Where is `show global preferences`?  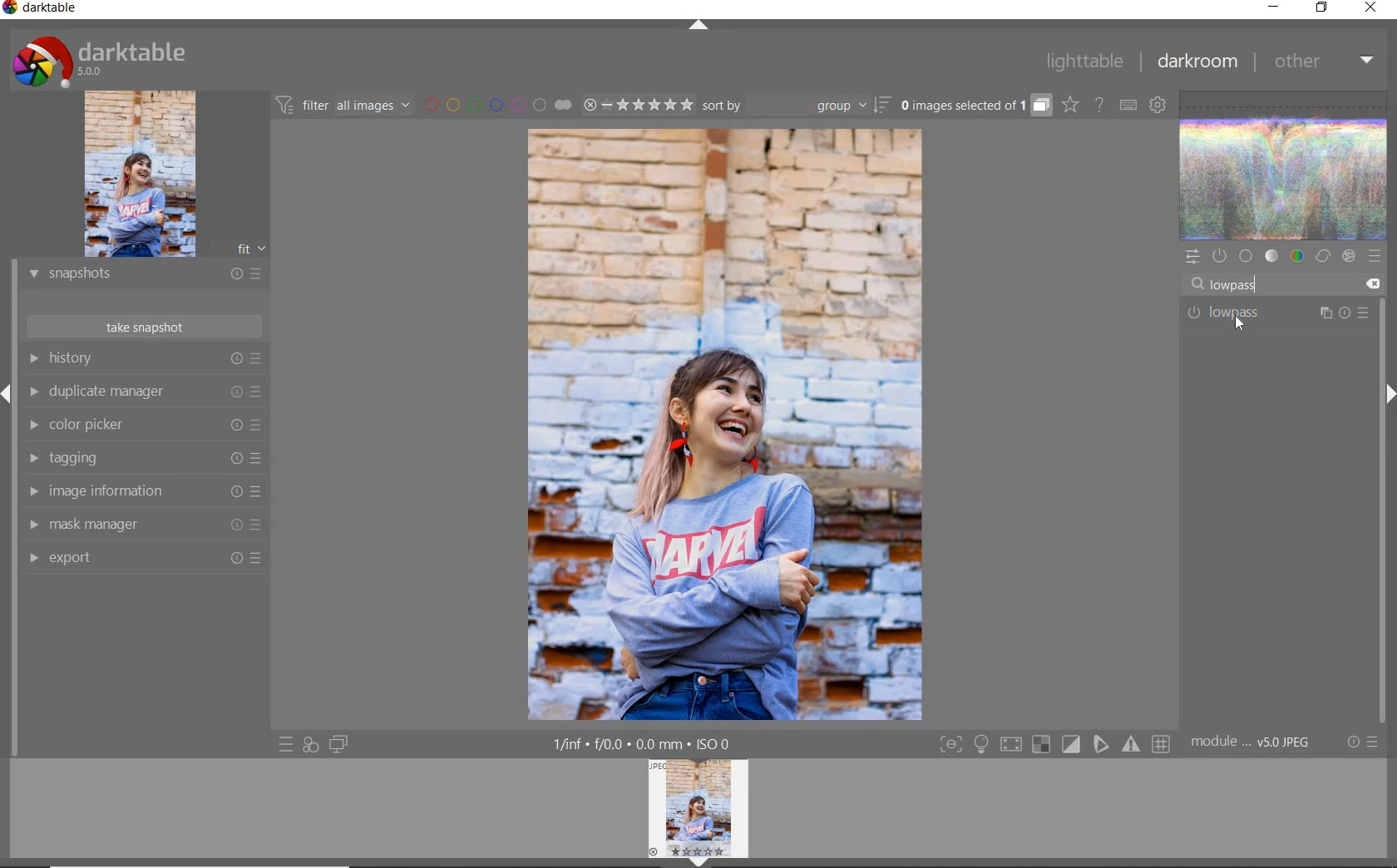
show global preferences is located at coordinates (1158, 106).